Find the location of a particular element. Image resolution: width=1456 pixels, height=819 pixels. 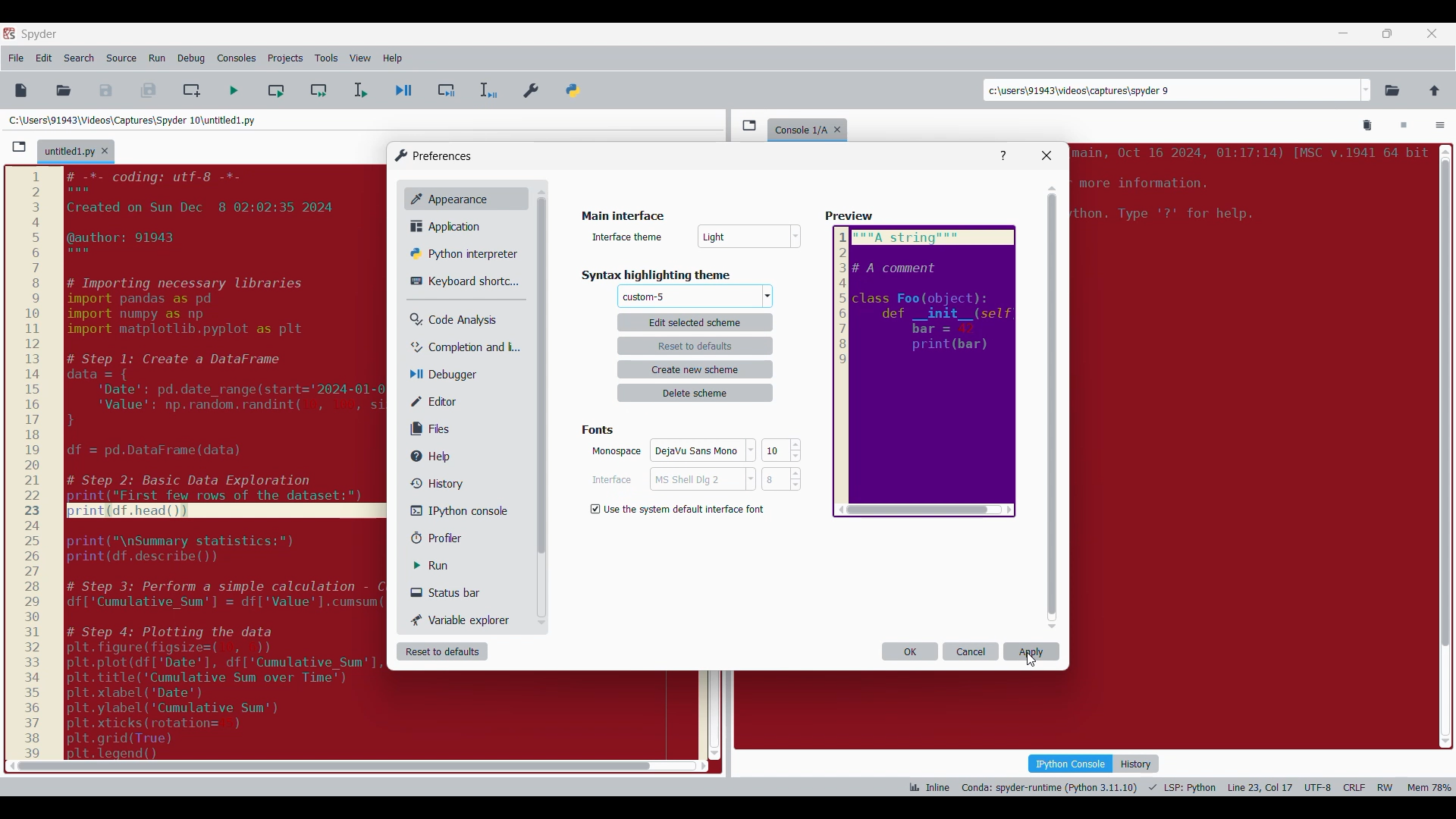

fonts is located at coordinates (601, 428).